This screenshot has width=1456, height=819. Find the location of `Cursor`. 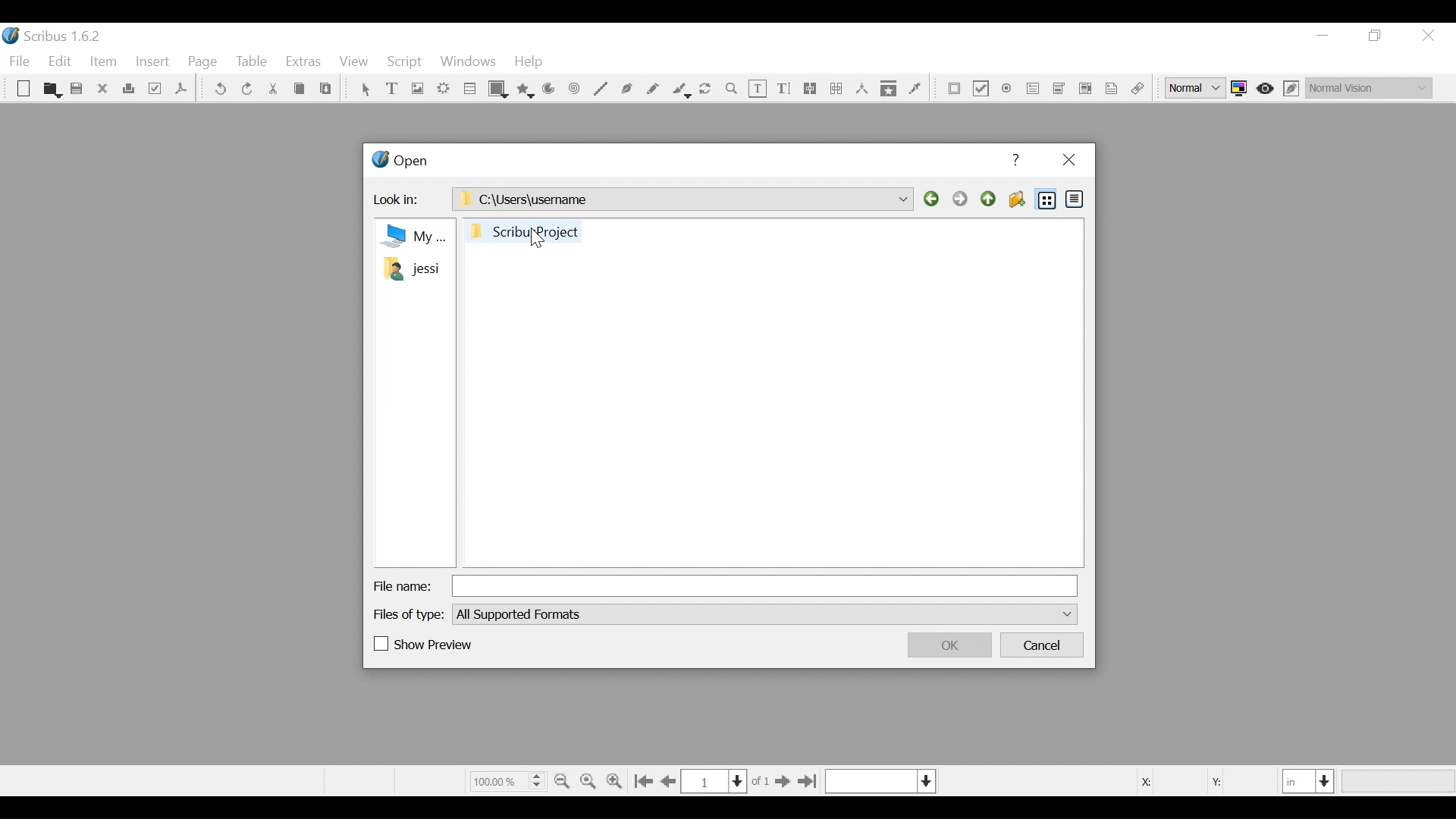

Cursor is located at coordinates (541, 238).